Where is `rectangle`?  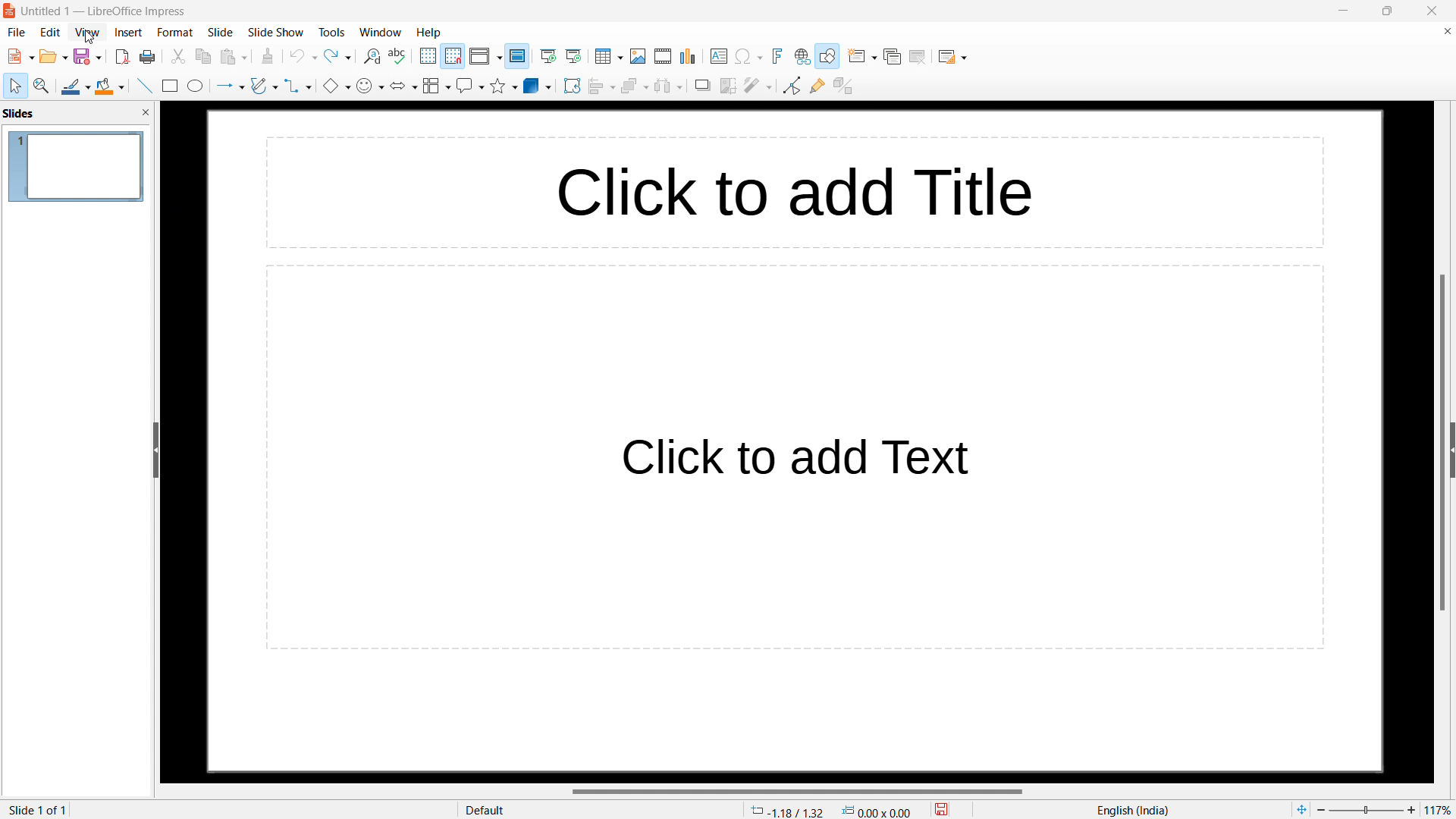 rectangle is located at coordinates (170, 86).